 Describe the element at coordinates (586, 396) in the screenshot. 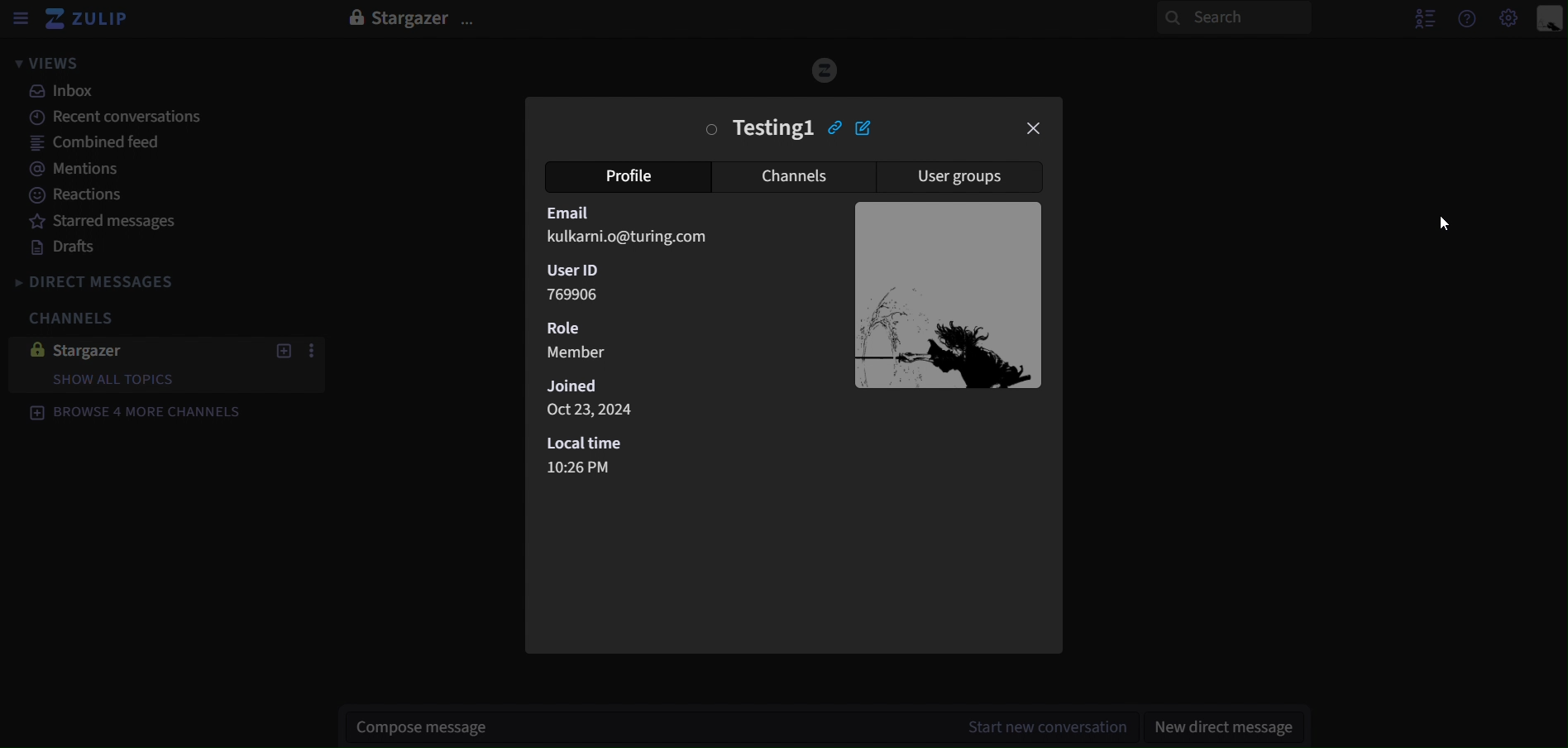

I see `Joined Oct 23,2024` at that location.